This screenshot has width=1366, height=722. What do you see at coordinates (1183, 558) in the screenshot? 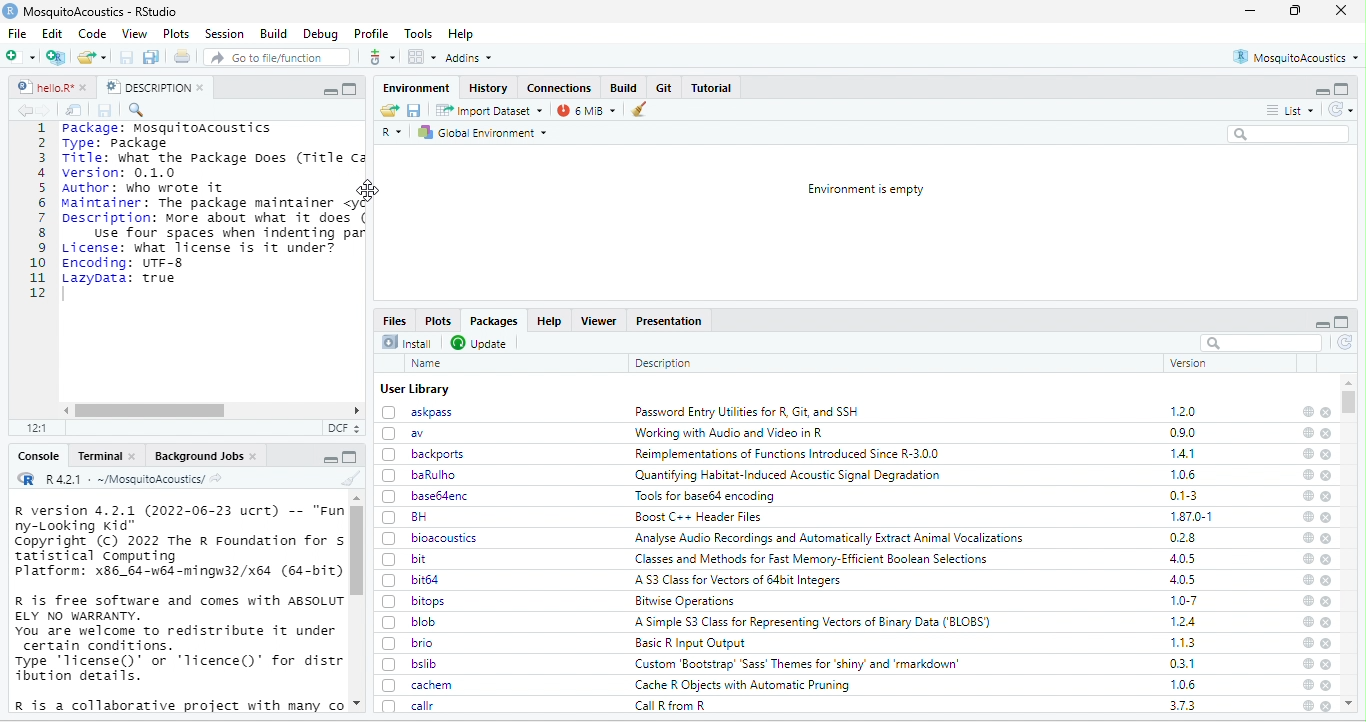
I see `4.0.5` at bounding box center [1183, 558].